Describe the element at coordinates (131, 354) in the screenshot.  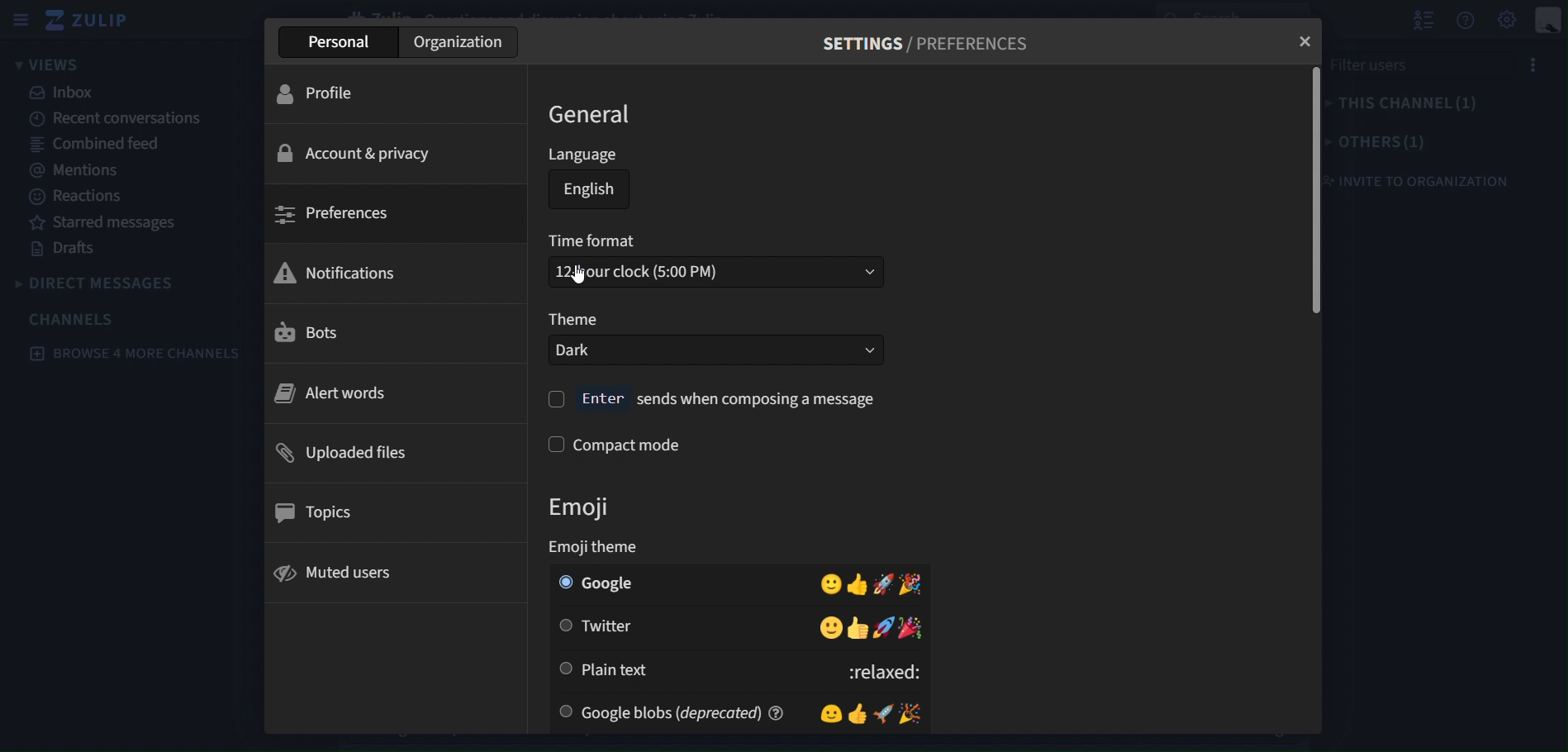
I see `browse 4 more channels` at that location.